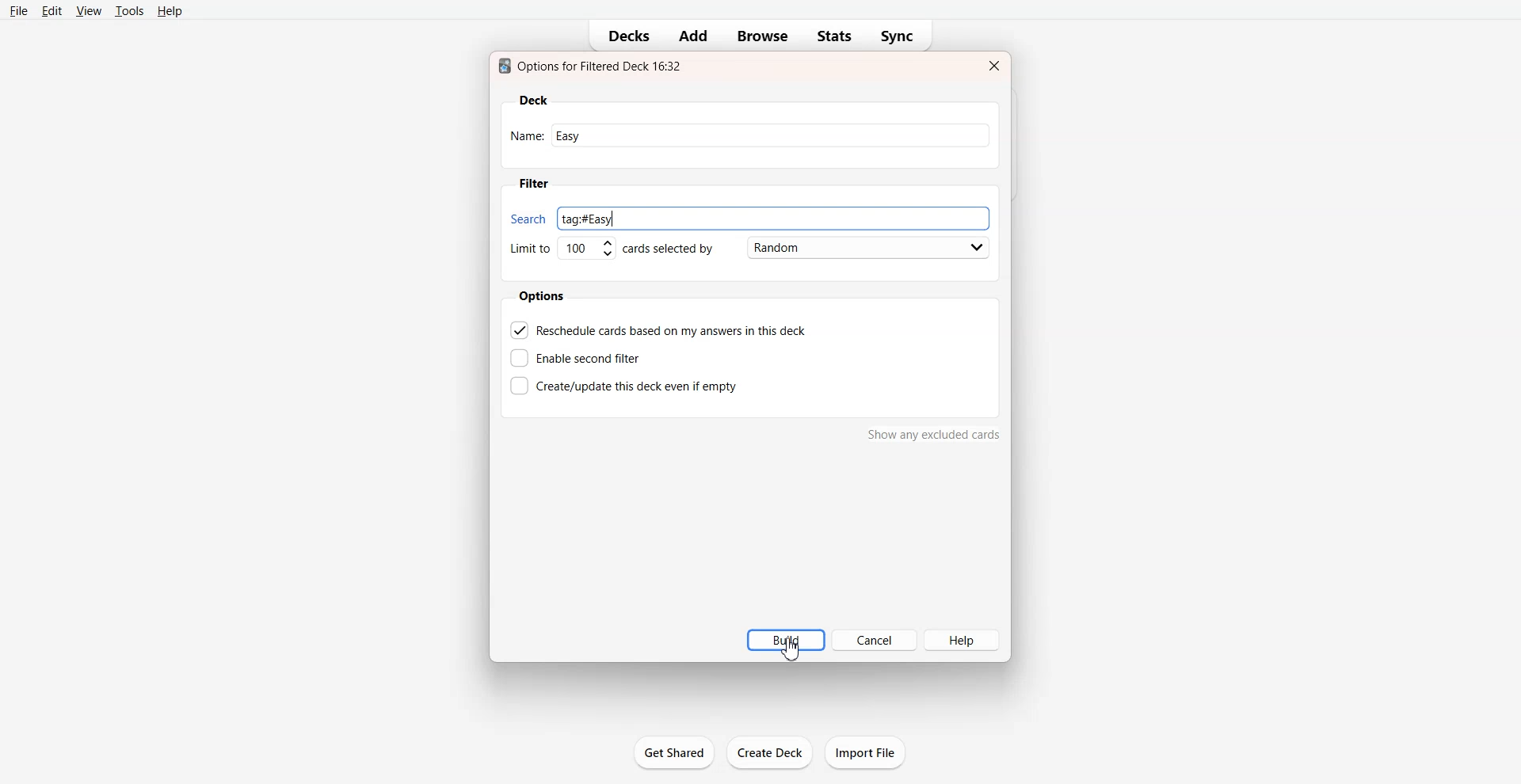  I want to click on Card Selected by Random, so click(807, 247).